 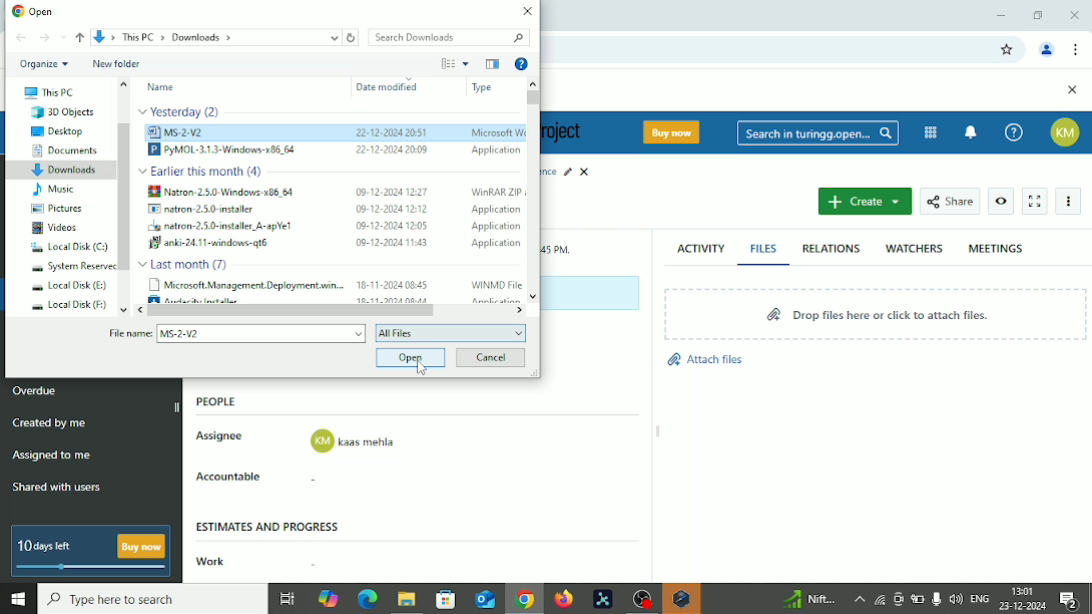 What do you see at coordinates (56, 189) in the screenshot?
I see `Music` at bounding box center [56, 189].